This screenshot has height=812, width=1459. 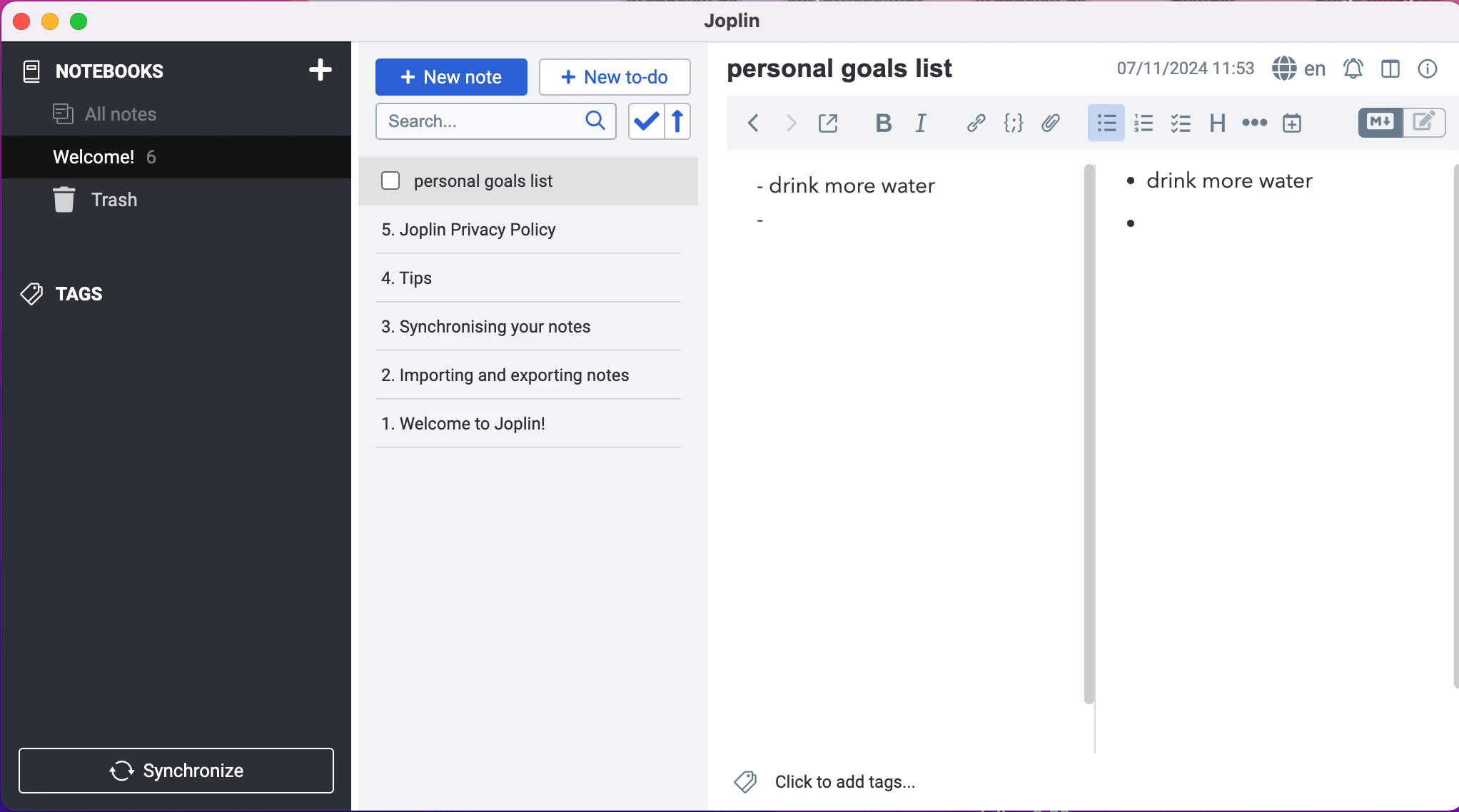 I want to click on Drink more water, so click(x=1232, y=178).